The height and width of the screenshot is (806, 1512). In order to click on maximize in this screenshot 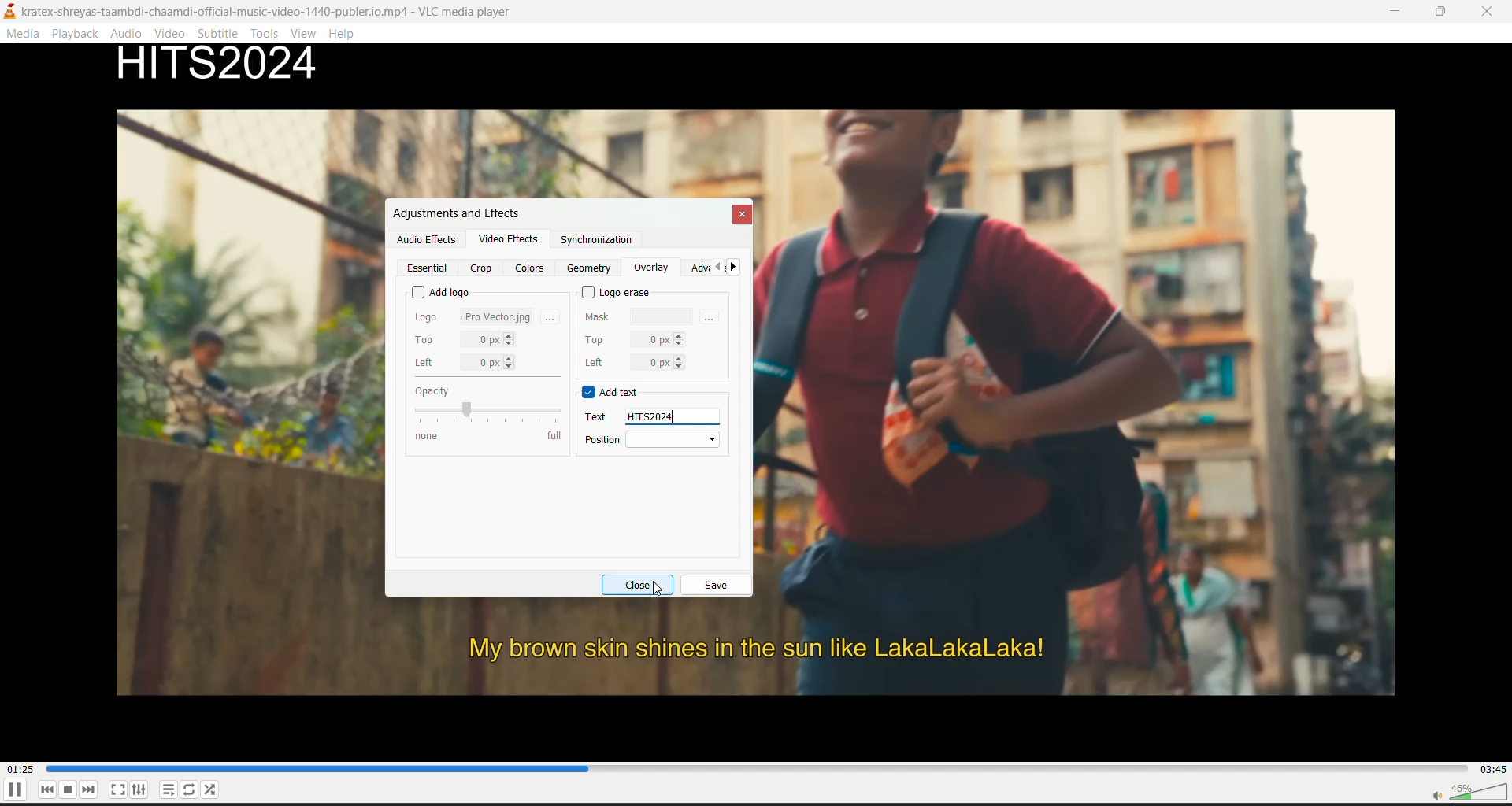, I will do `click(1446, 13)`.